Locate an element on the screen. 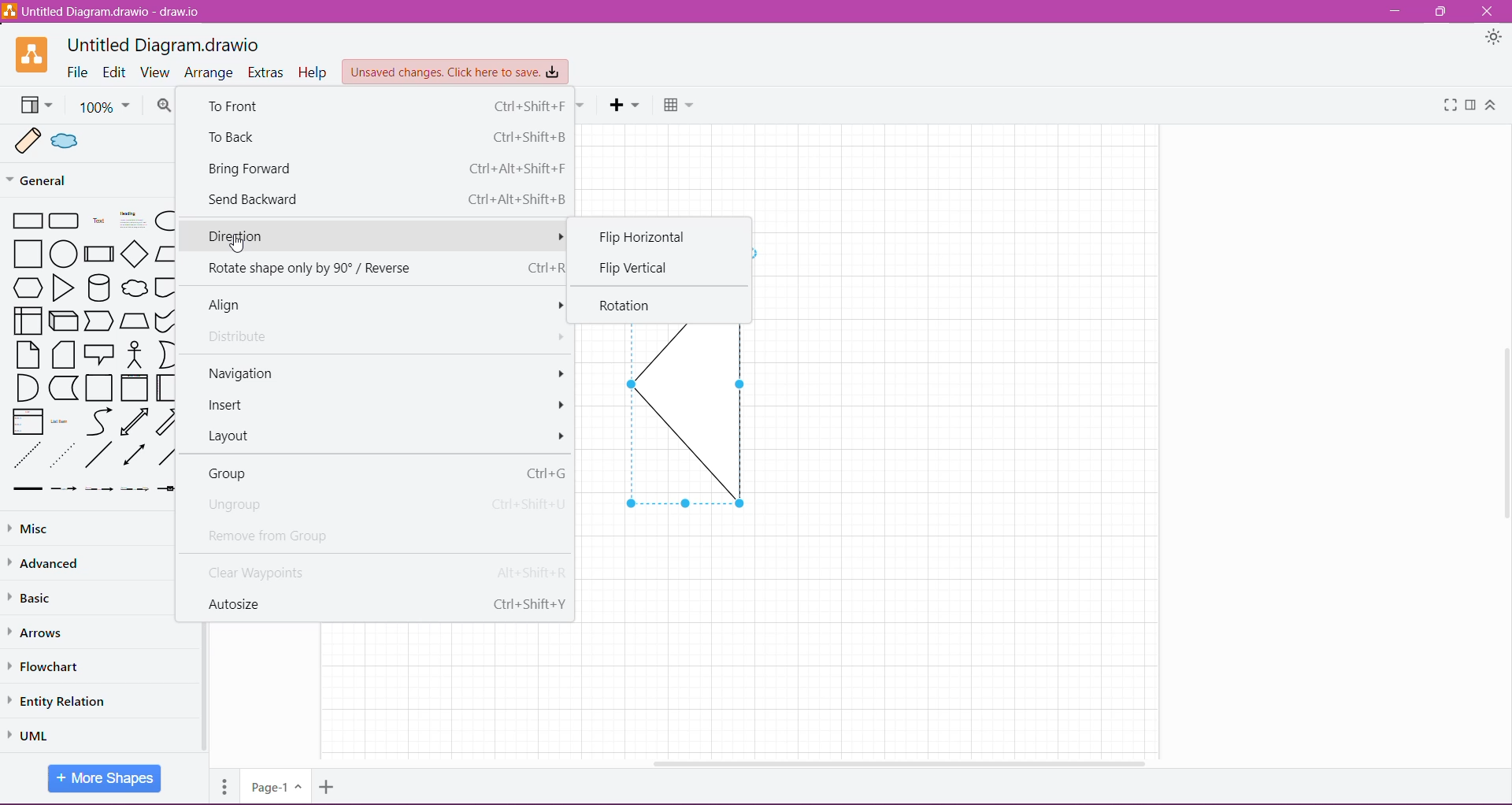 The height and width of the screenshot is (805, 1512). To Back Ctrl+Shift+B is located at coordinates (387, 139).